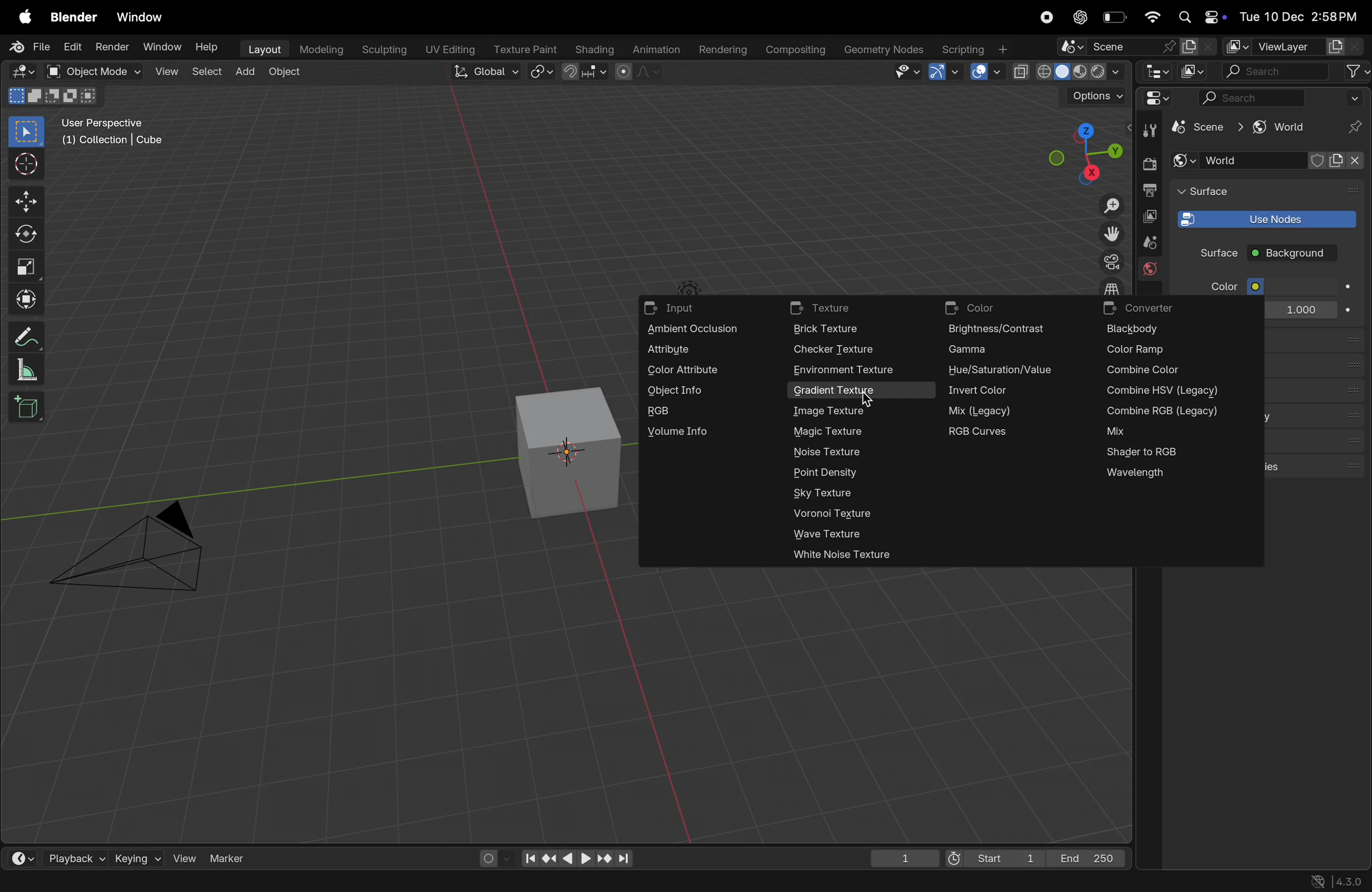 This screenshot has width=1372, height=892. I want to click on render, so click(1148, 164).